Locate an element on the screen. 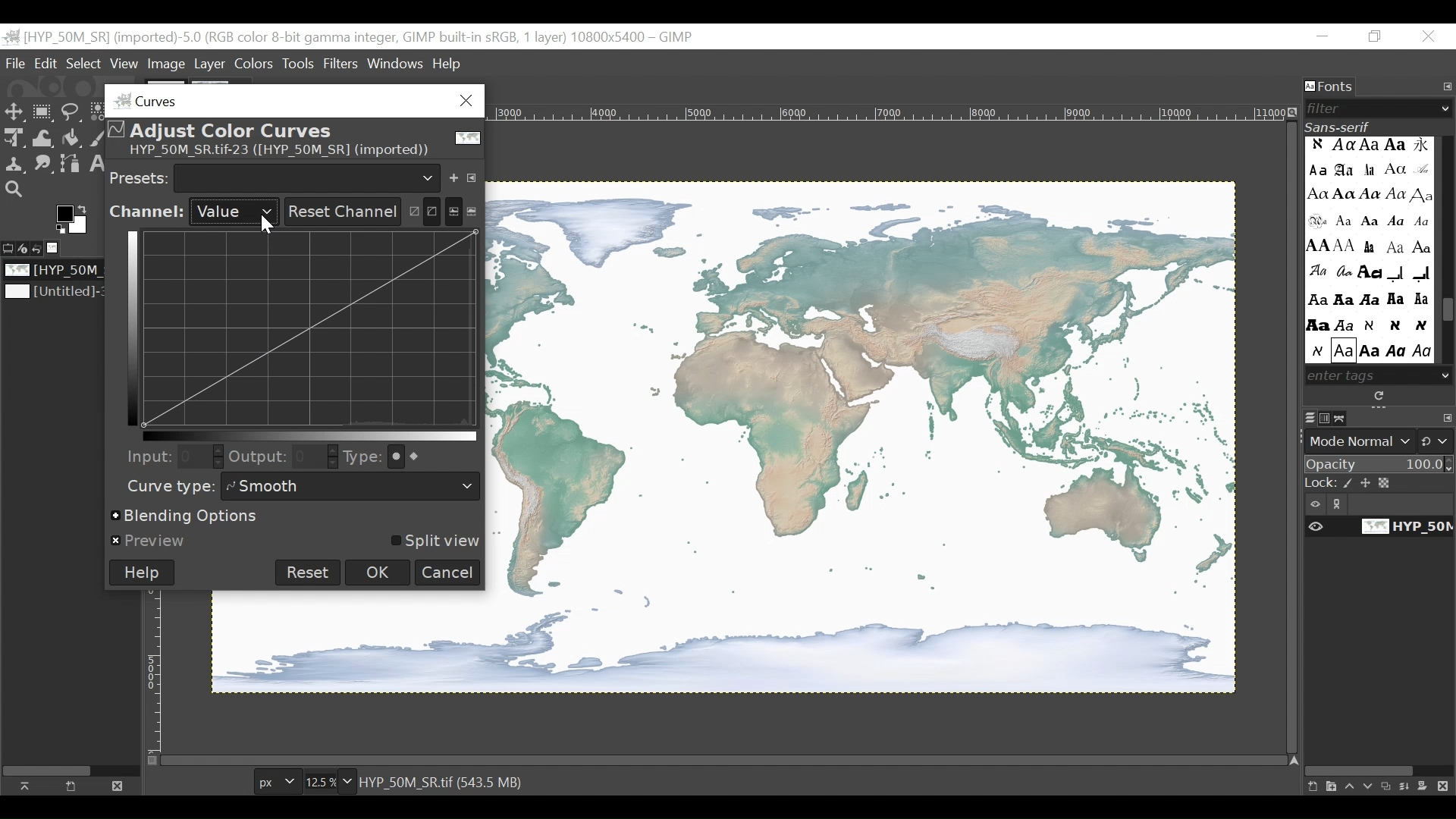  Preview is located at coordinates (149, 541).